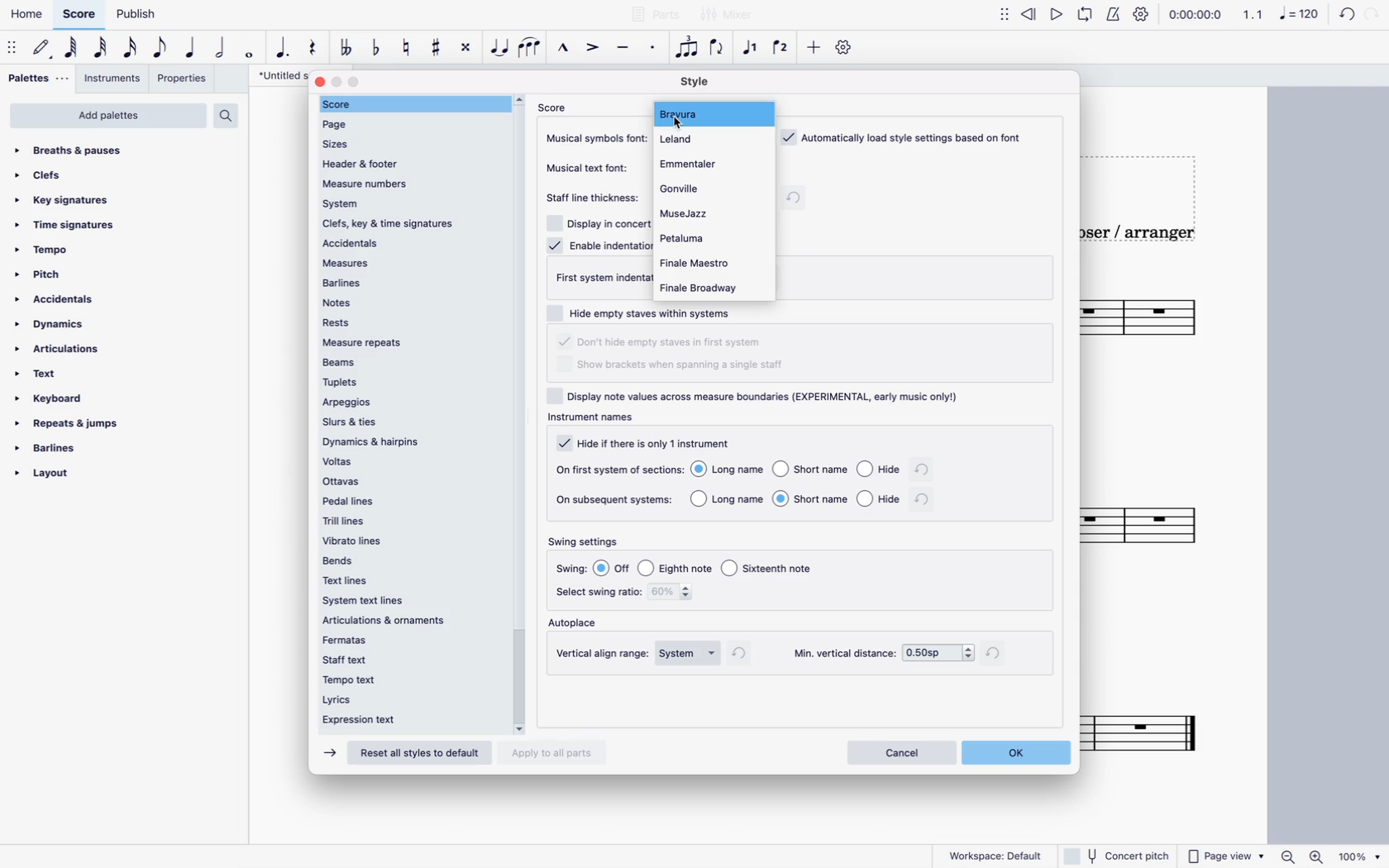 The width and height of the screenshot is (1389, 868). I want to click on on subsequent systems, so click(616, 499).